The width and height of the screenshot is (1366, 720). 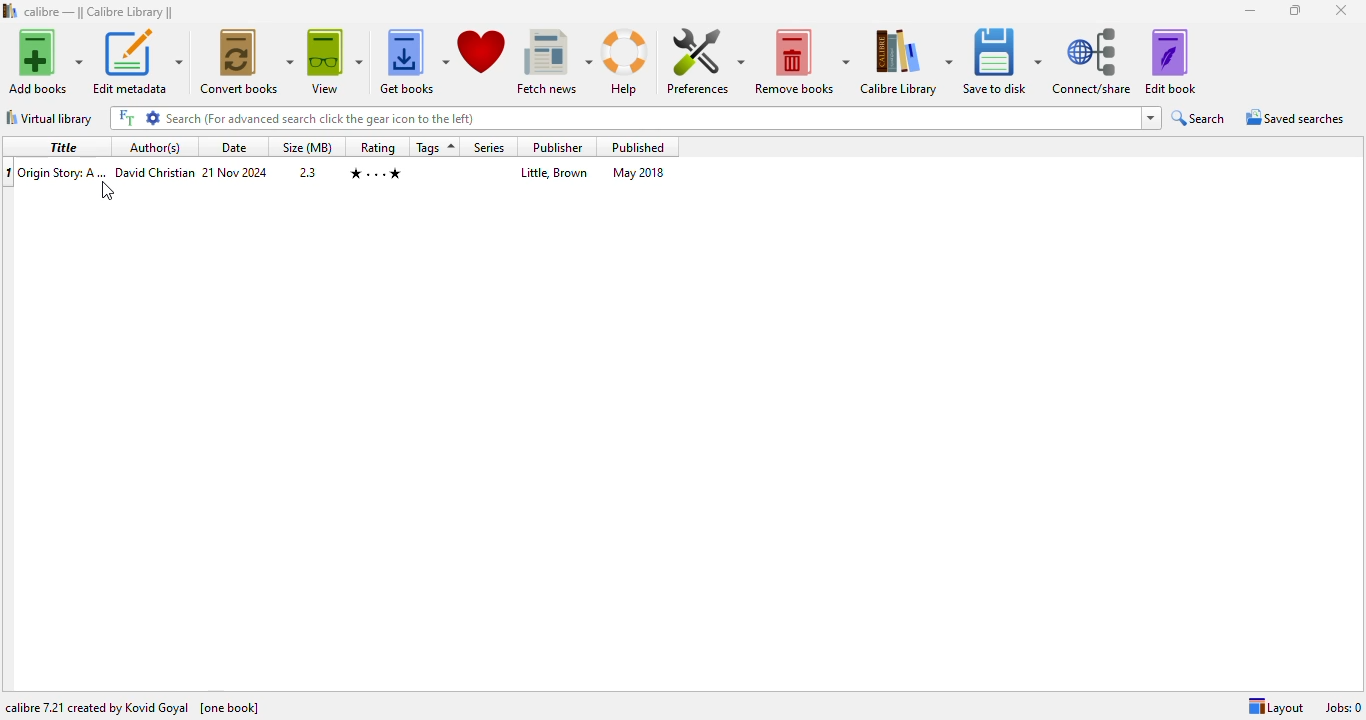 I want to click on saved searches, so click(x=1296, y=117).